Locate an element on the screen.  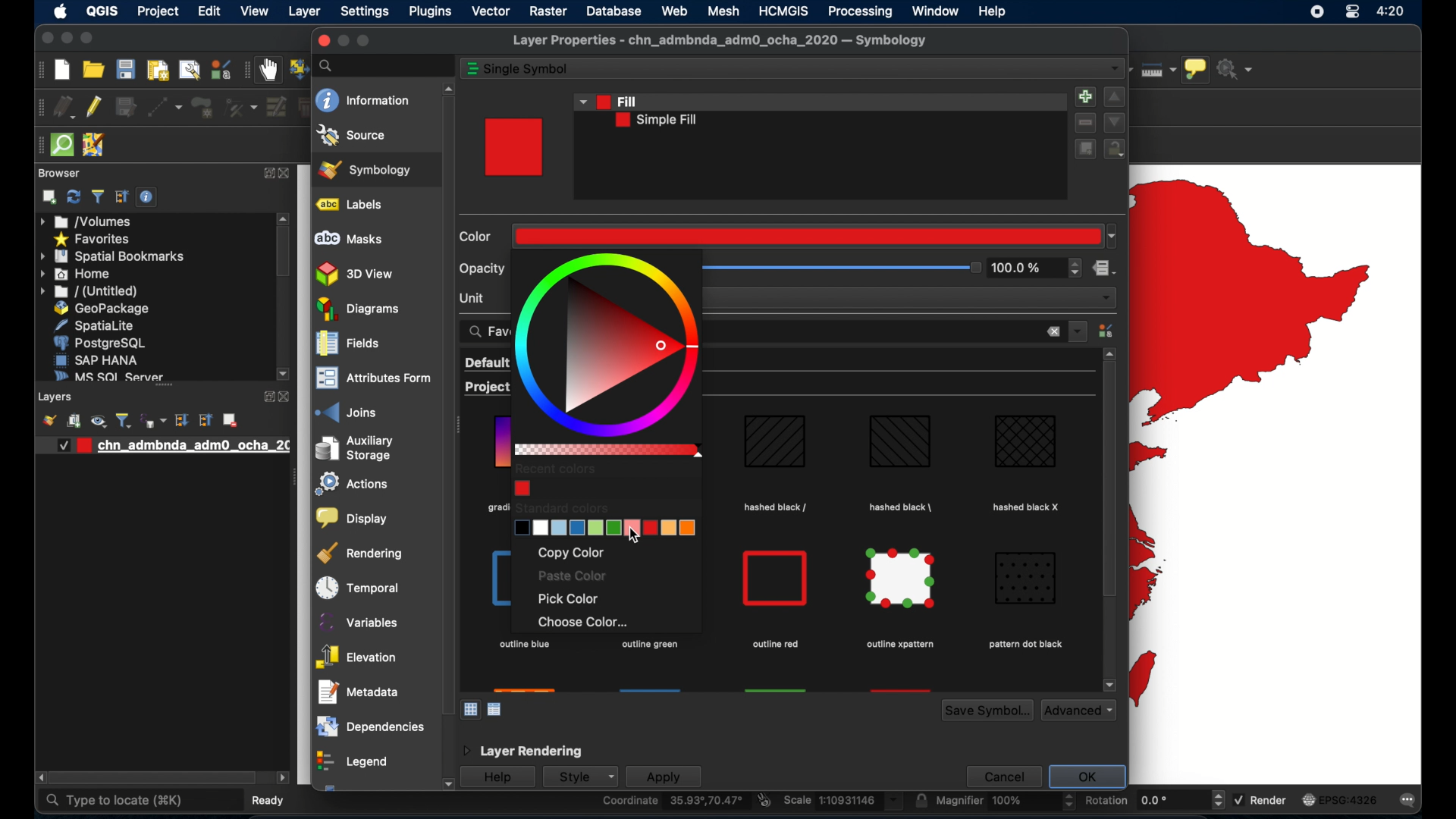
no action selected is located at coordinates (1238, 68).